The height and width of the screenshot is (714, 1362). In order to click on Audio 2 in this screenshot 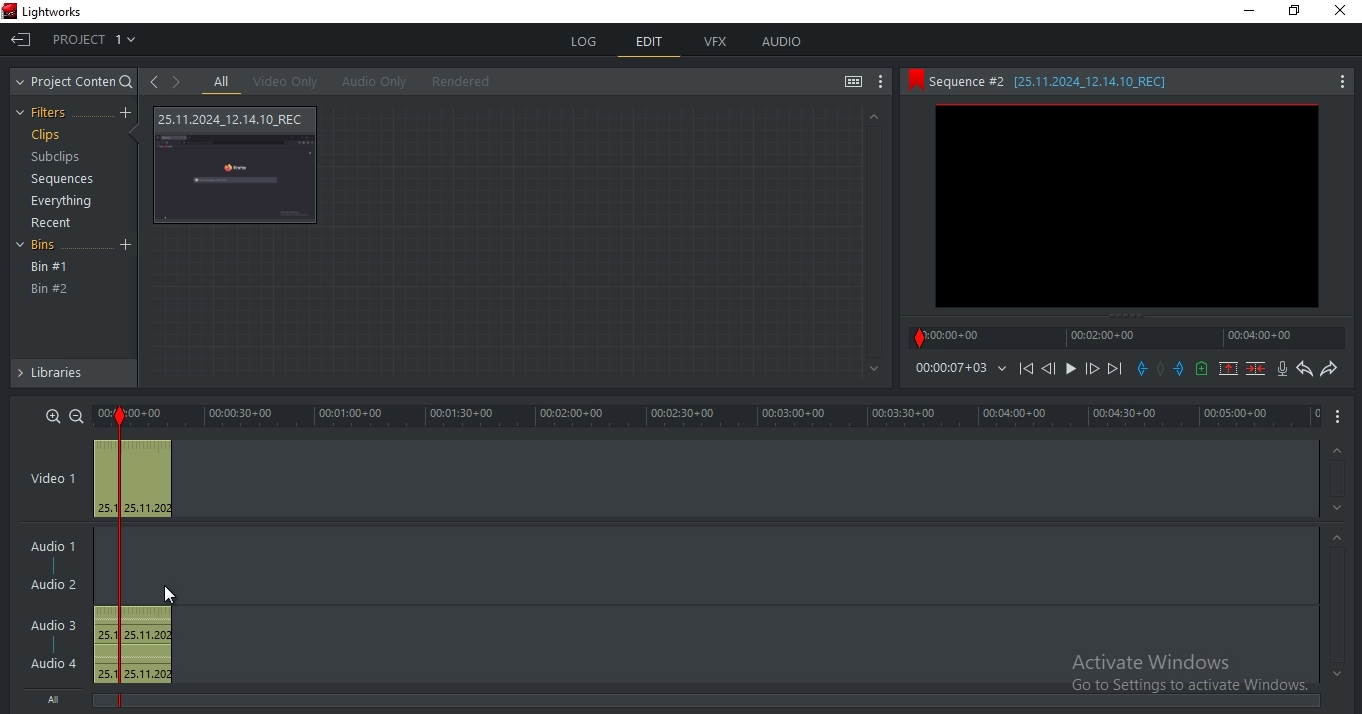, I will do `click(61, 585)`.